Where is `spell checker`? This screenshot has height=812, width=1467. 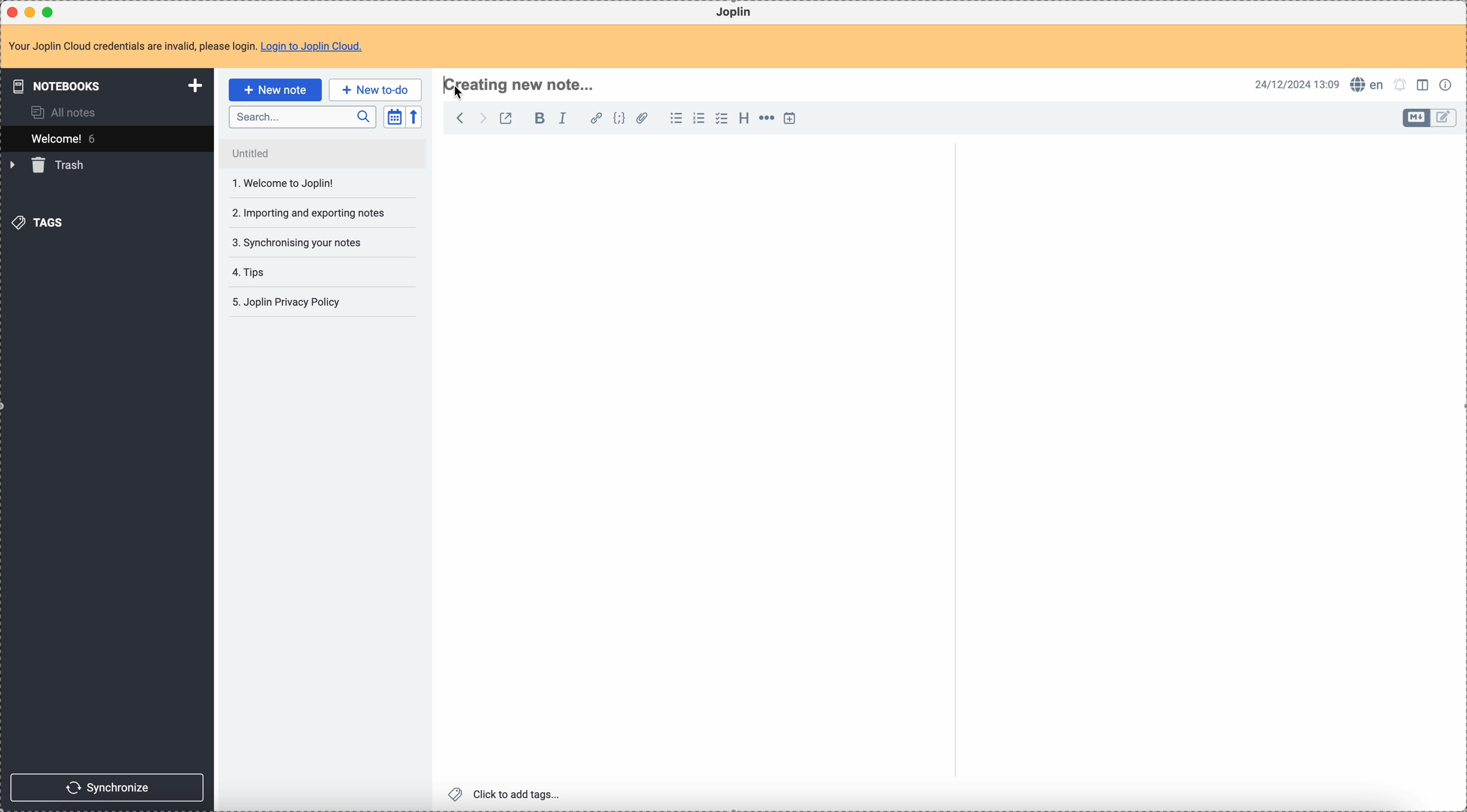 spell checker is located at coordinates (1370, 84).